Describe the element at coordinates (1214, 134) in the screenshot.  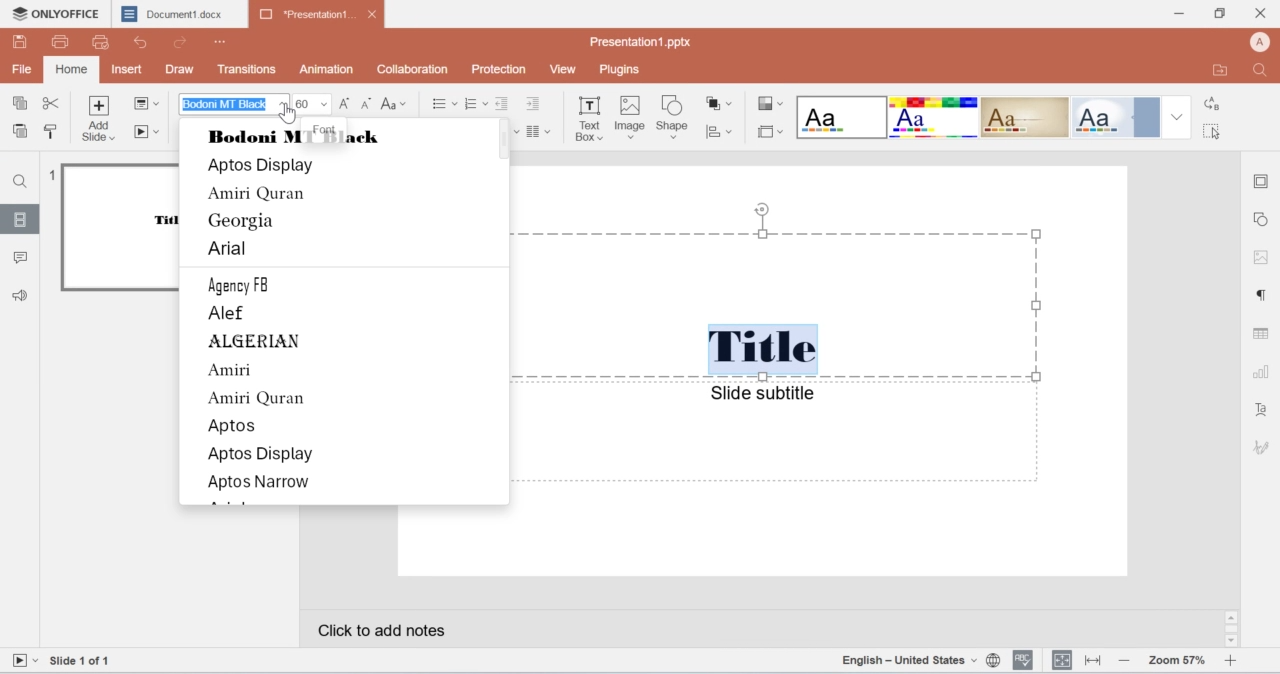
I see `cursor` at that location.